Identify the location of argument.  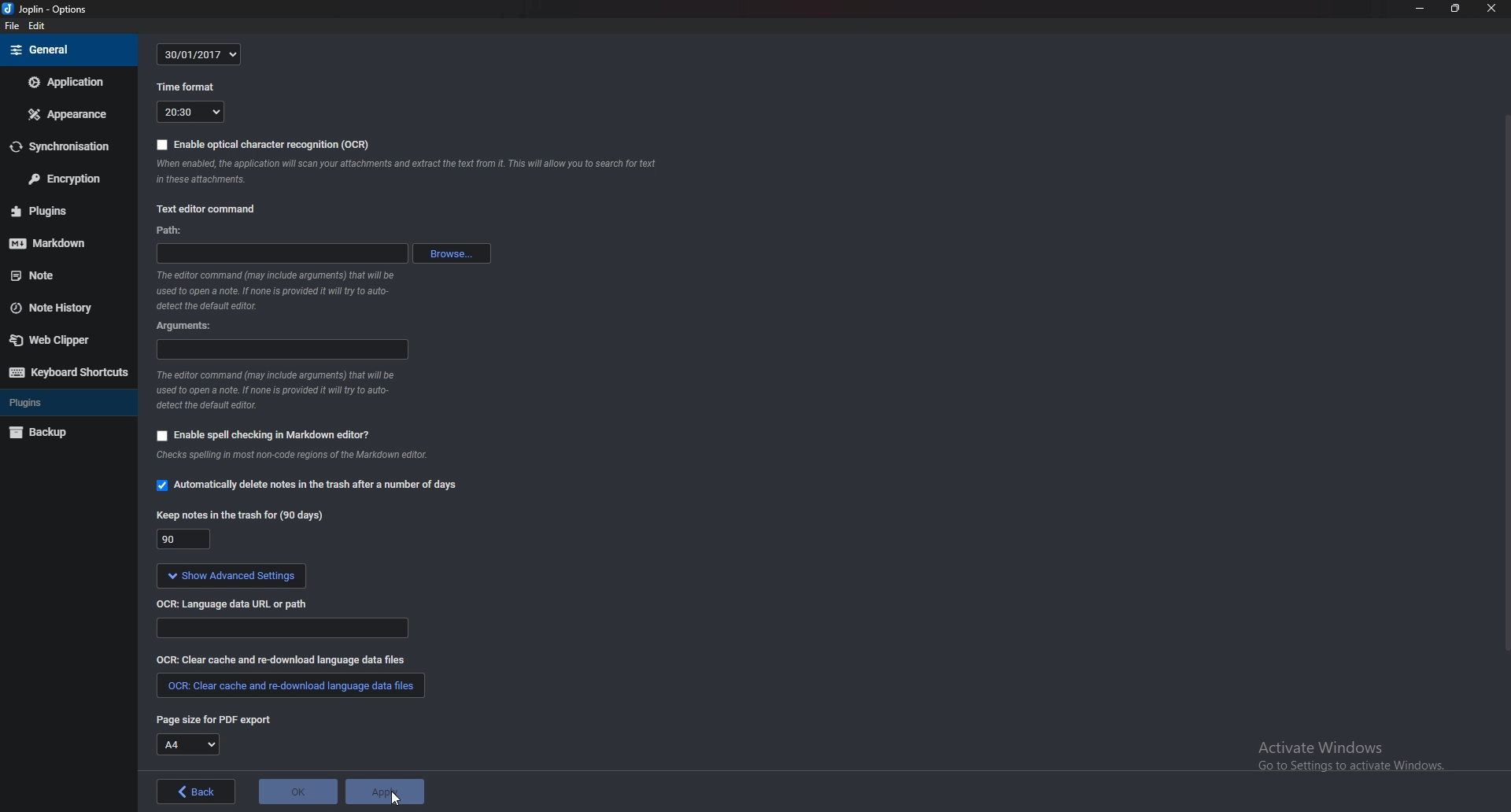
(189, 327).